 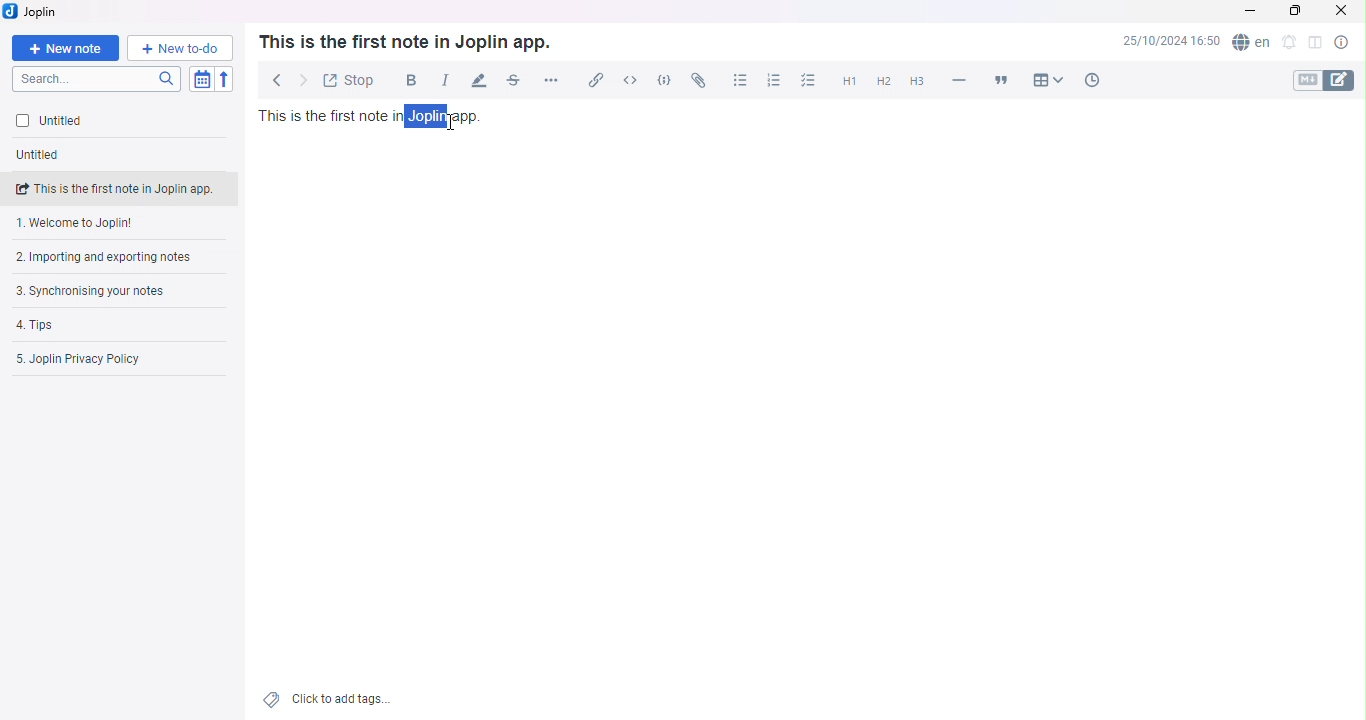 I want to click on note, so click(x=125, y=187).